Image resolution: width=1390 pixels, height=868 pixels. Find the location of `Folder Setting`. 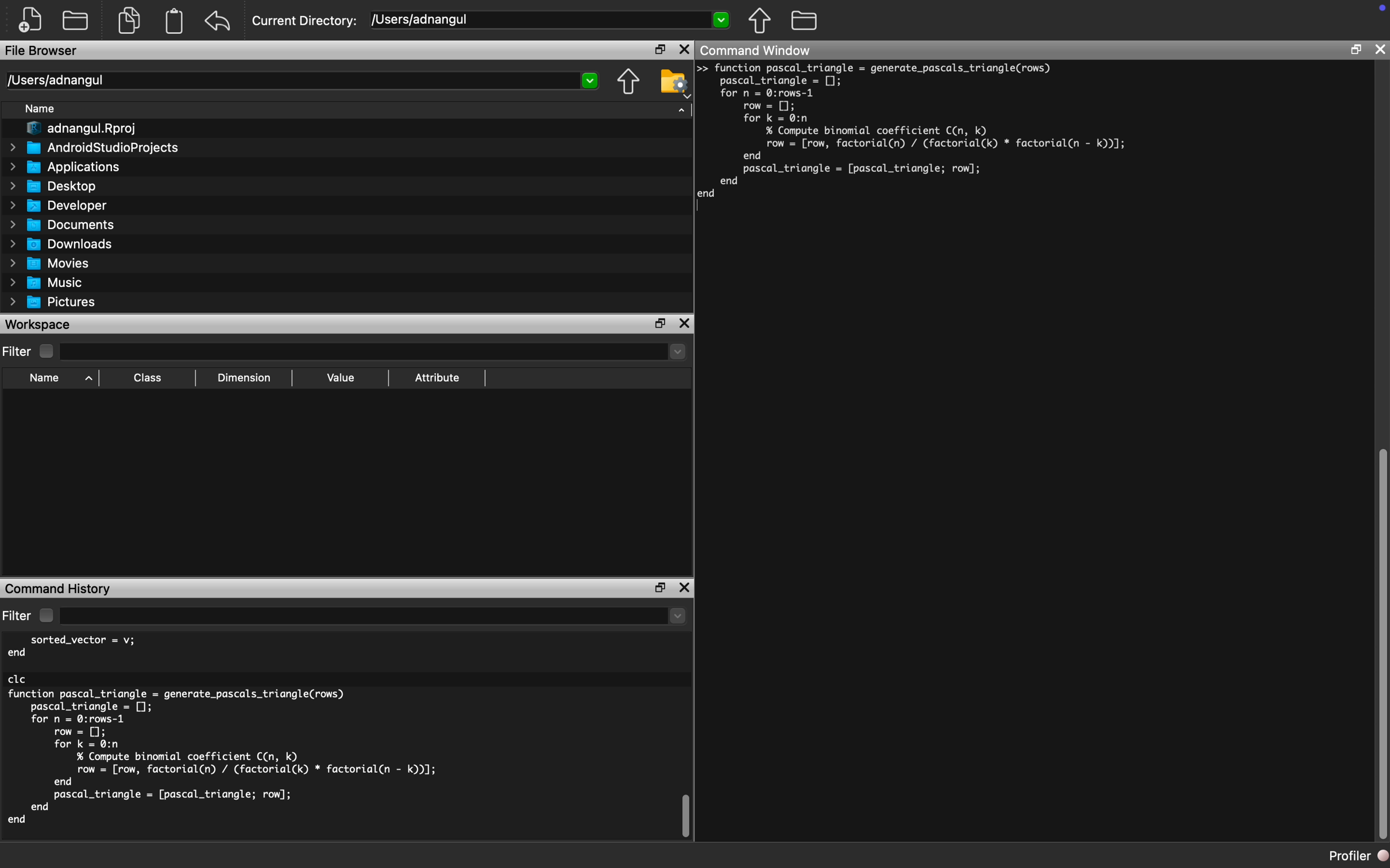

Folder Setting is located at coordinates (675, 83).